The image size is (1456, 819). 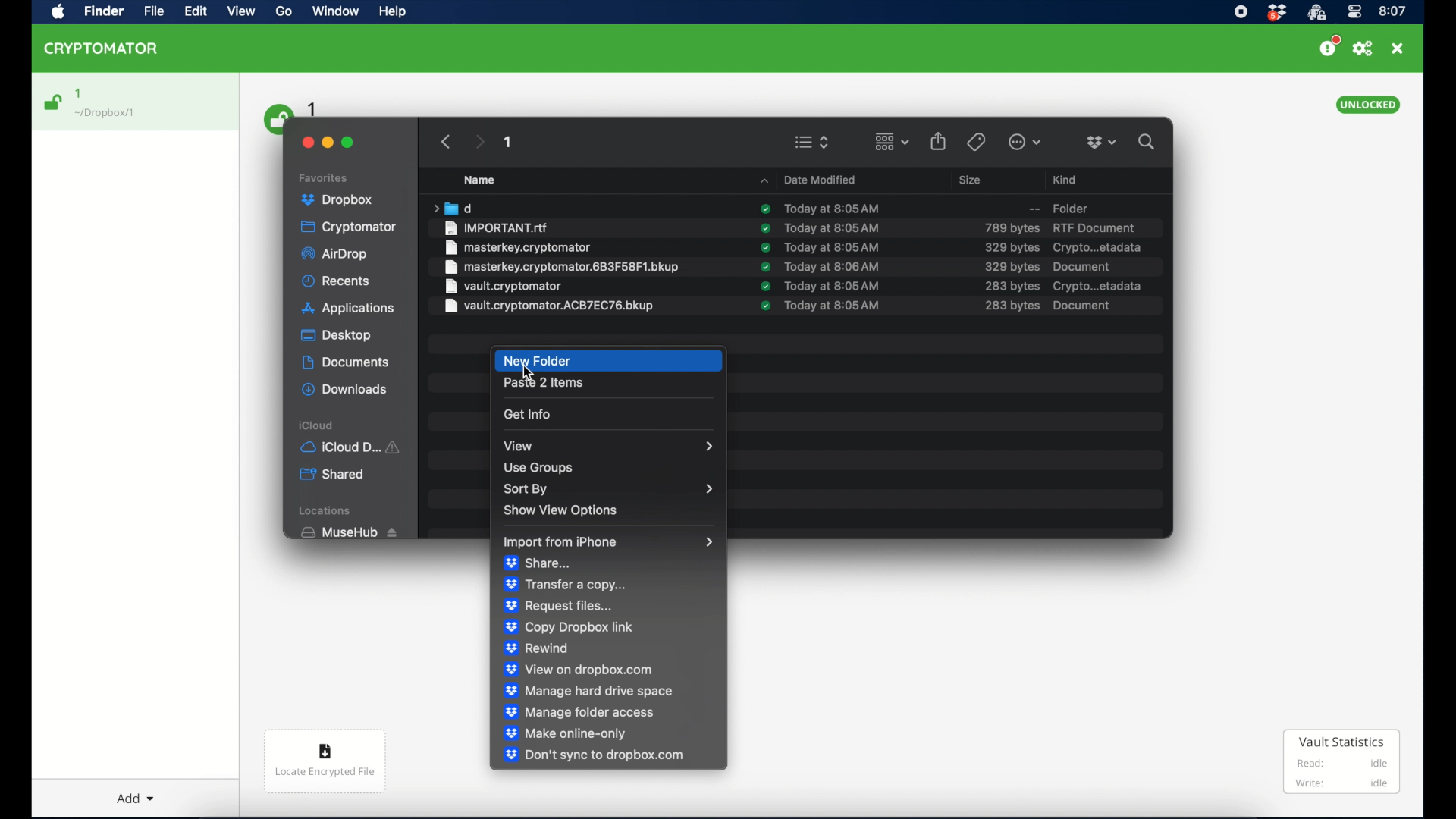 I want to click on Name, so click(x=488, y=180).